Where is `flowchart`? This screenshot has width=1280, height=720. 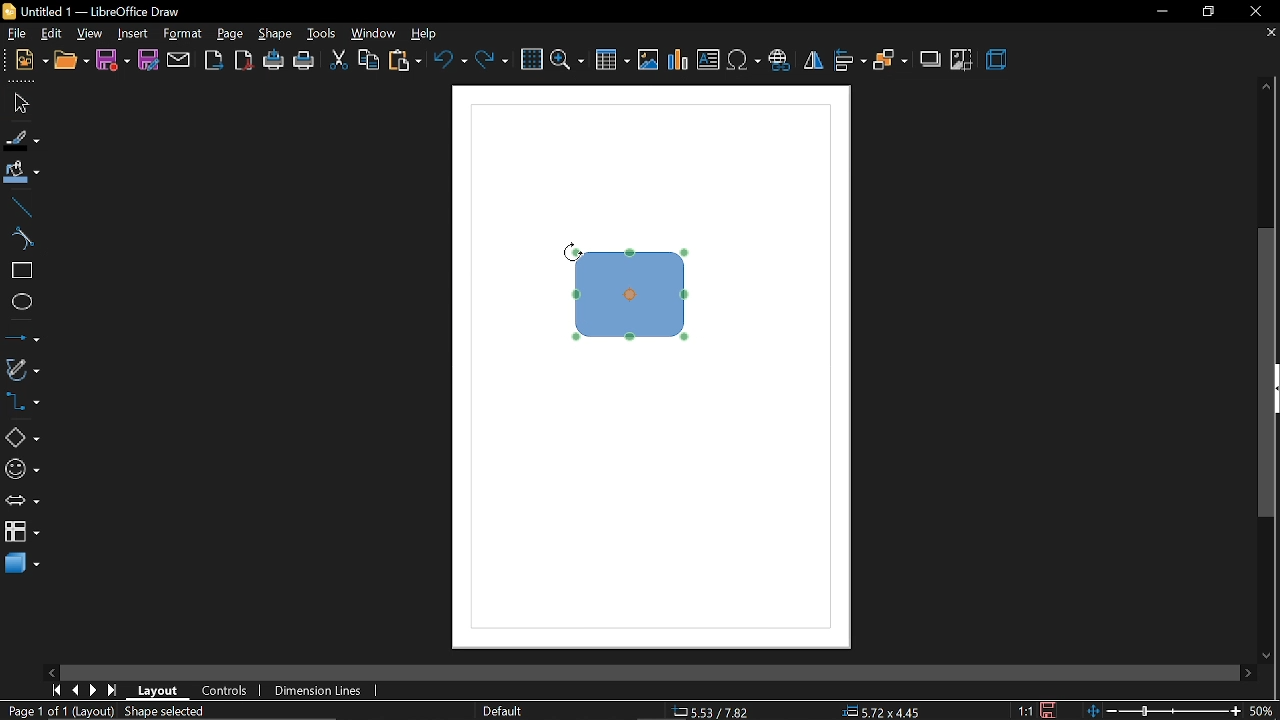 flowchart is located at coordinates (22, 532).